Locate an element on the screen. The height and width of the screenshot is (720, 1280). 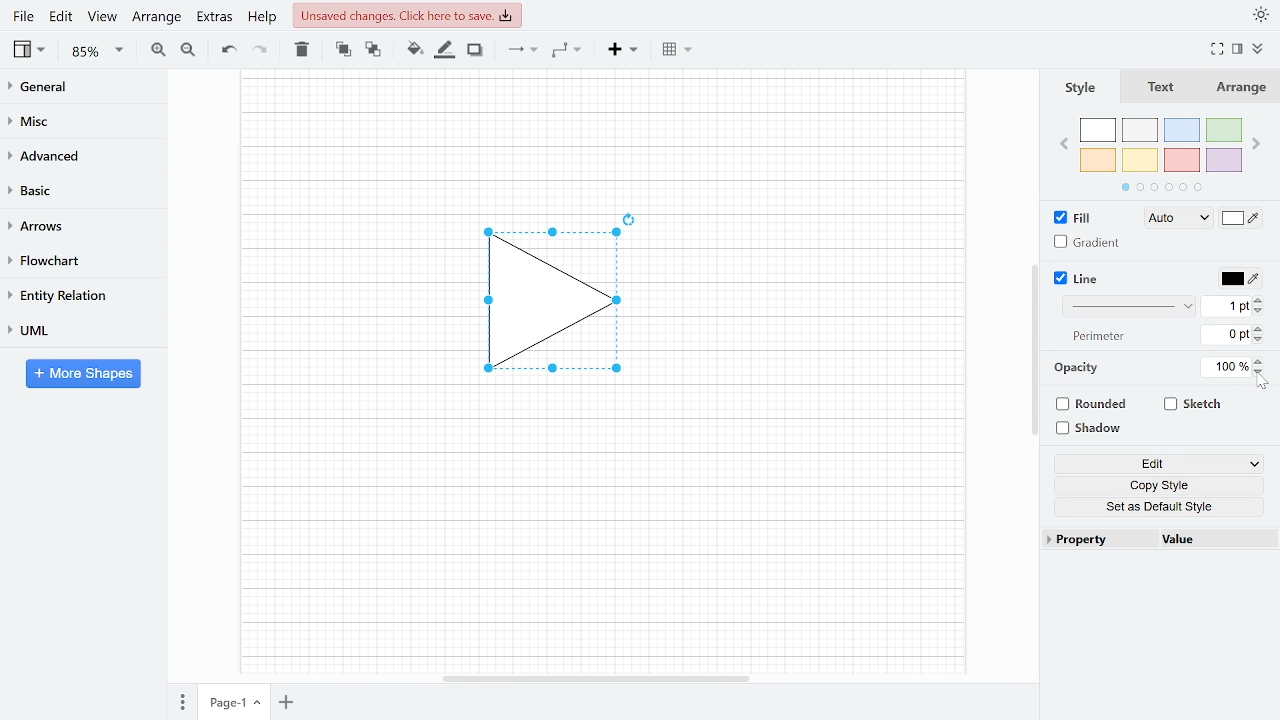
Extras is located at coordinates (212, 16).